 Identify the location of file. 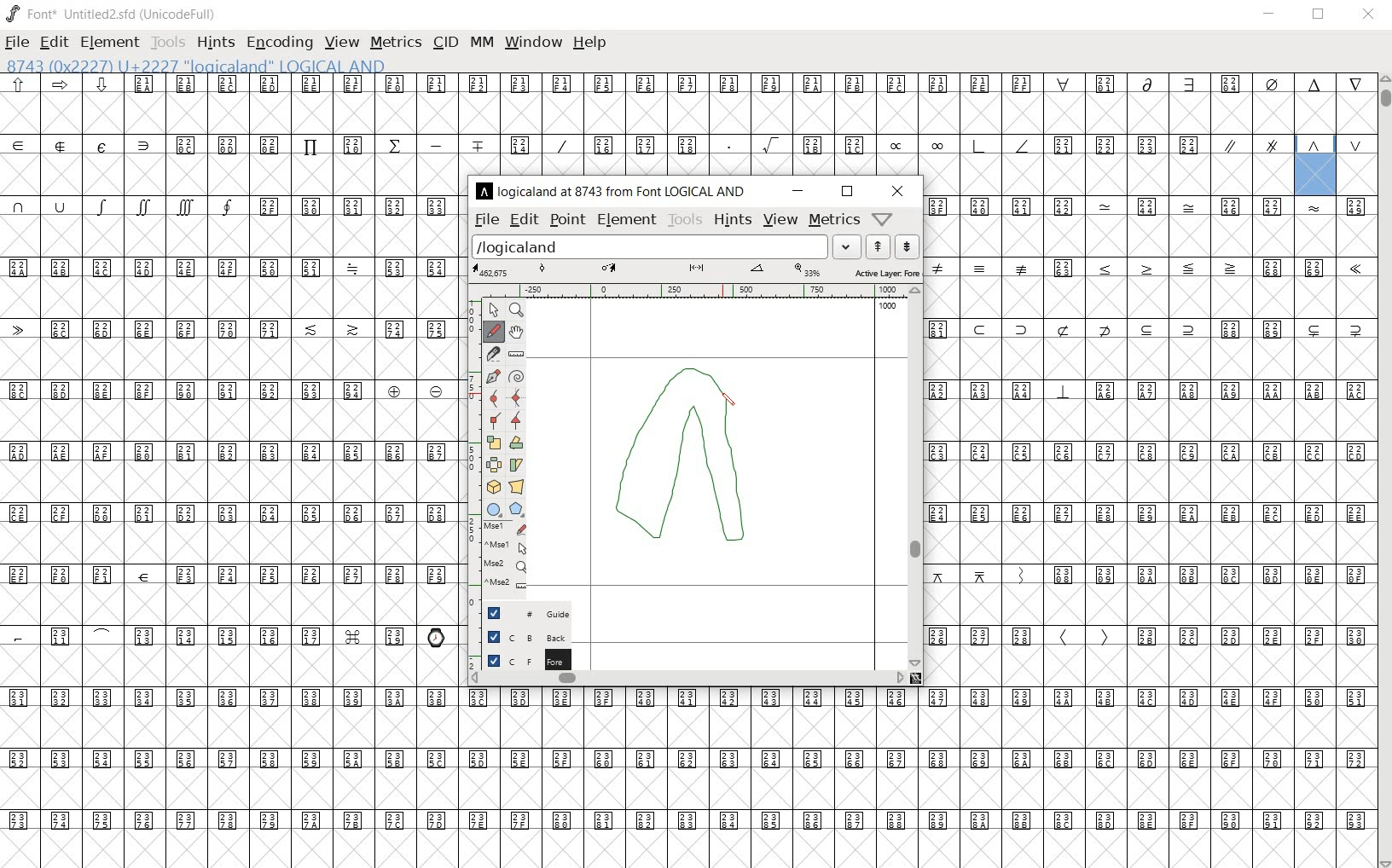
(17, 44).